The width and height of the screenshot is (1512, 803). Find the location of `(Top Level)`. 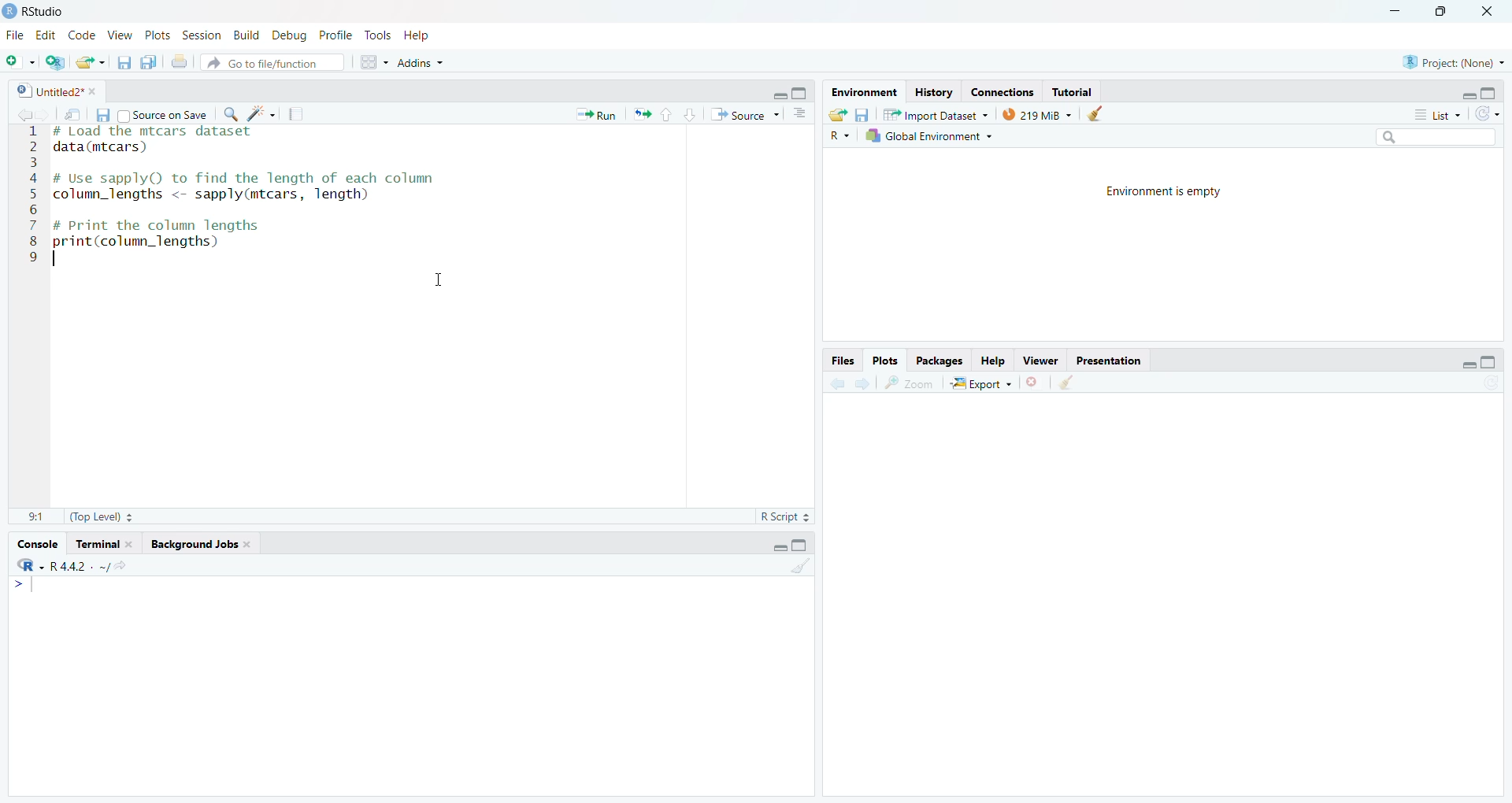

(Top Level) is located at coordinates (101, 517).